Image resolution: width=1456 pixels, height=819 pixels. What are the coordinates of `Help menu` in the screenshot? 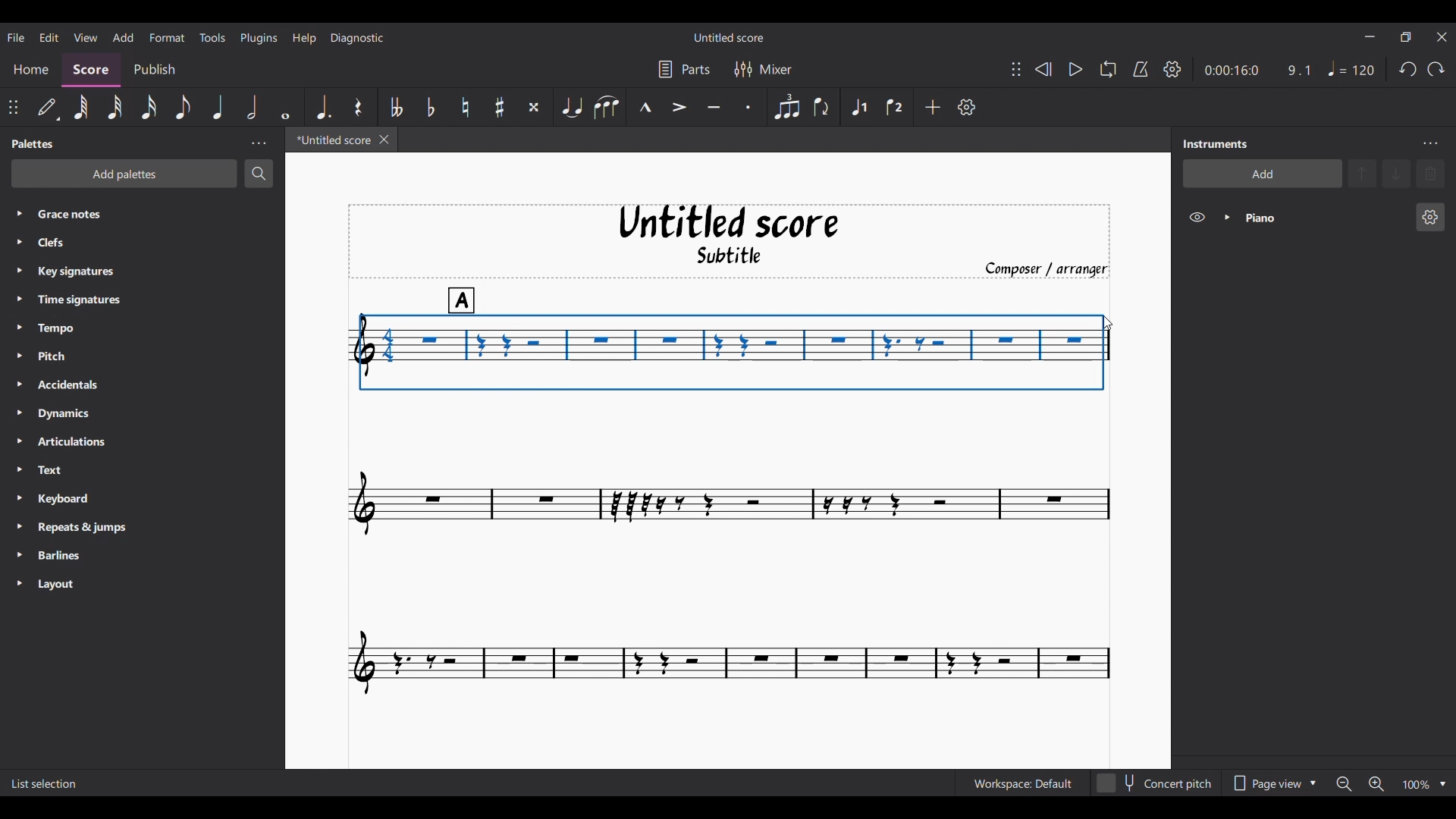 It's located at (306, 38).